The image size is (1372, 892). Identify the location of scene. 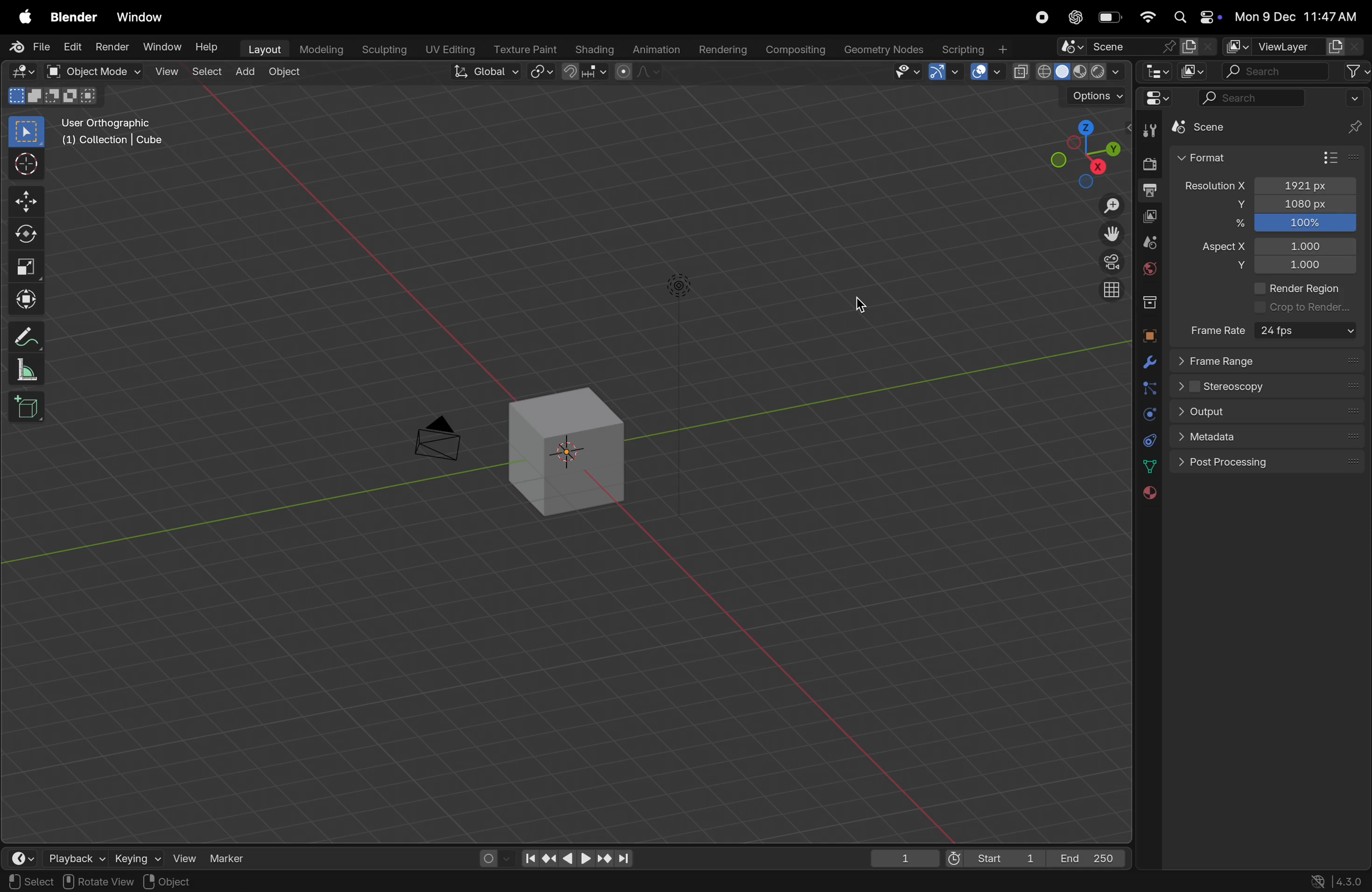
(1134, 47).